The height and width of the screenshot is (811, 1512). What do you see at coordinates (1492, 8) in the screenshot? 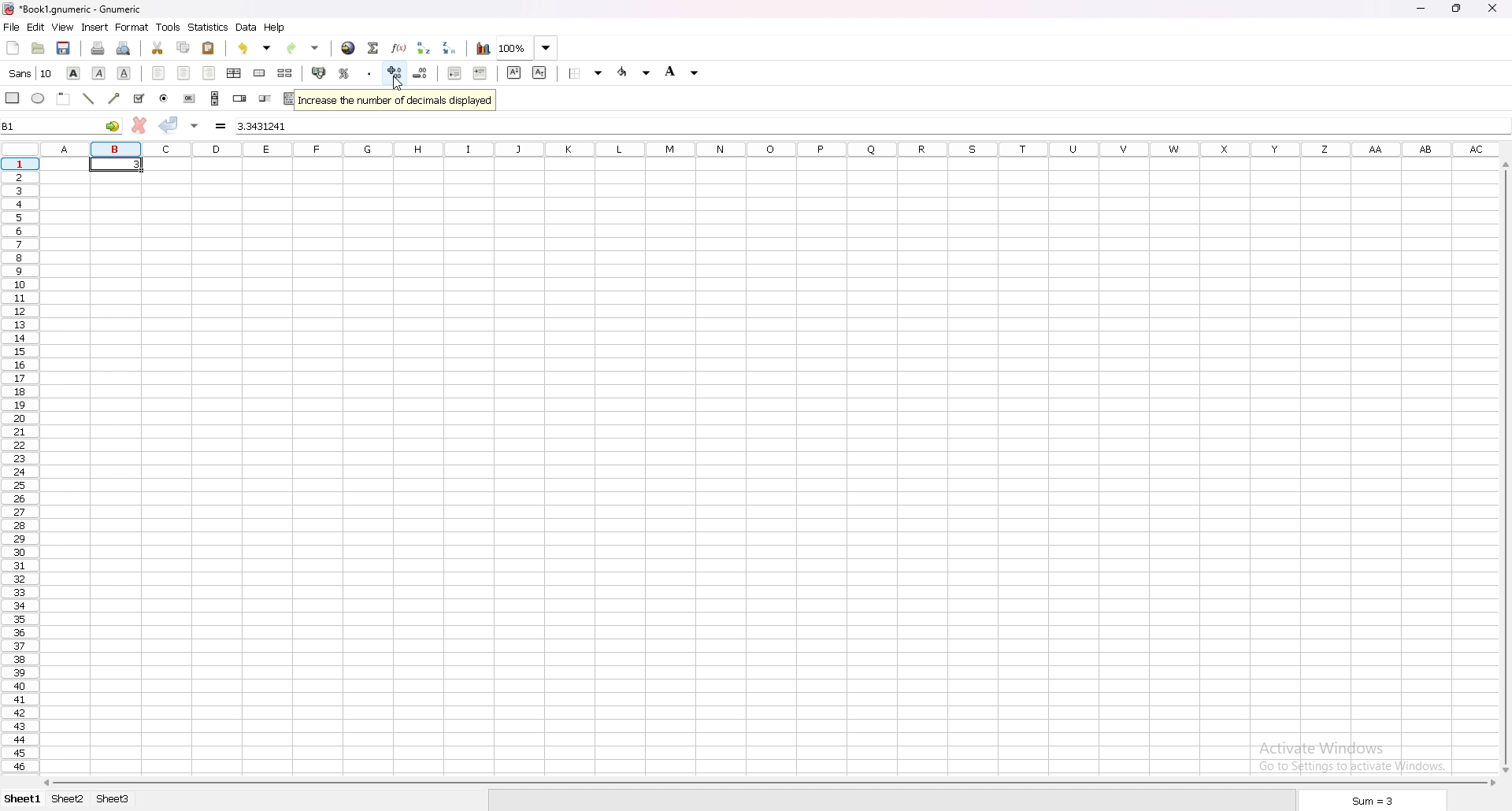
I see `close` at bounding box center [1492, 8].